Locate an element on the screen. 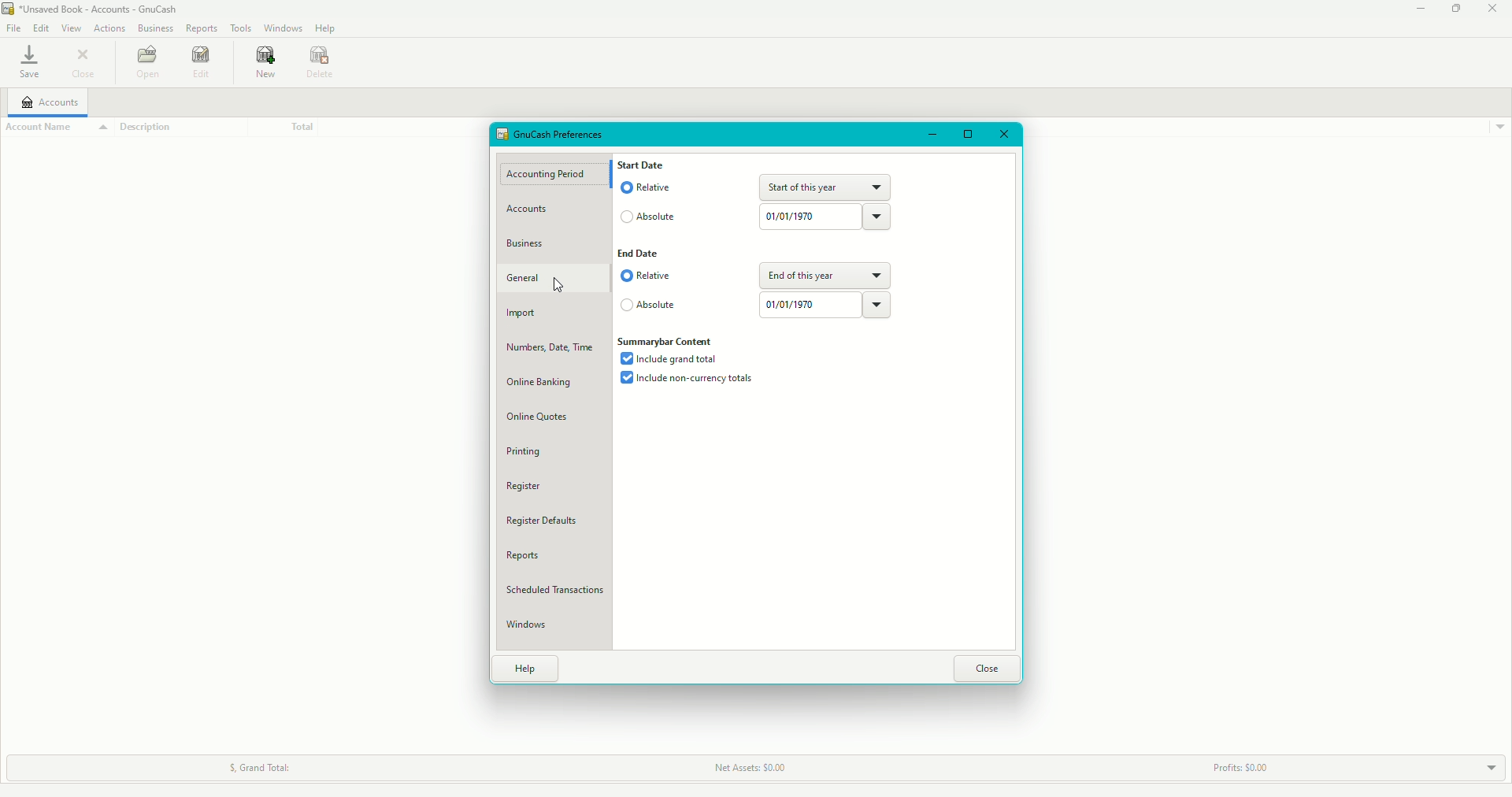  Online Quotes is located at coordinates (542, 418).